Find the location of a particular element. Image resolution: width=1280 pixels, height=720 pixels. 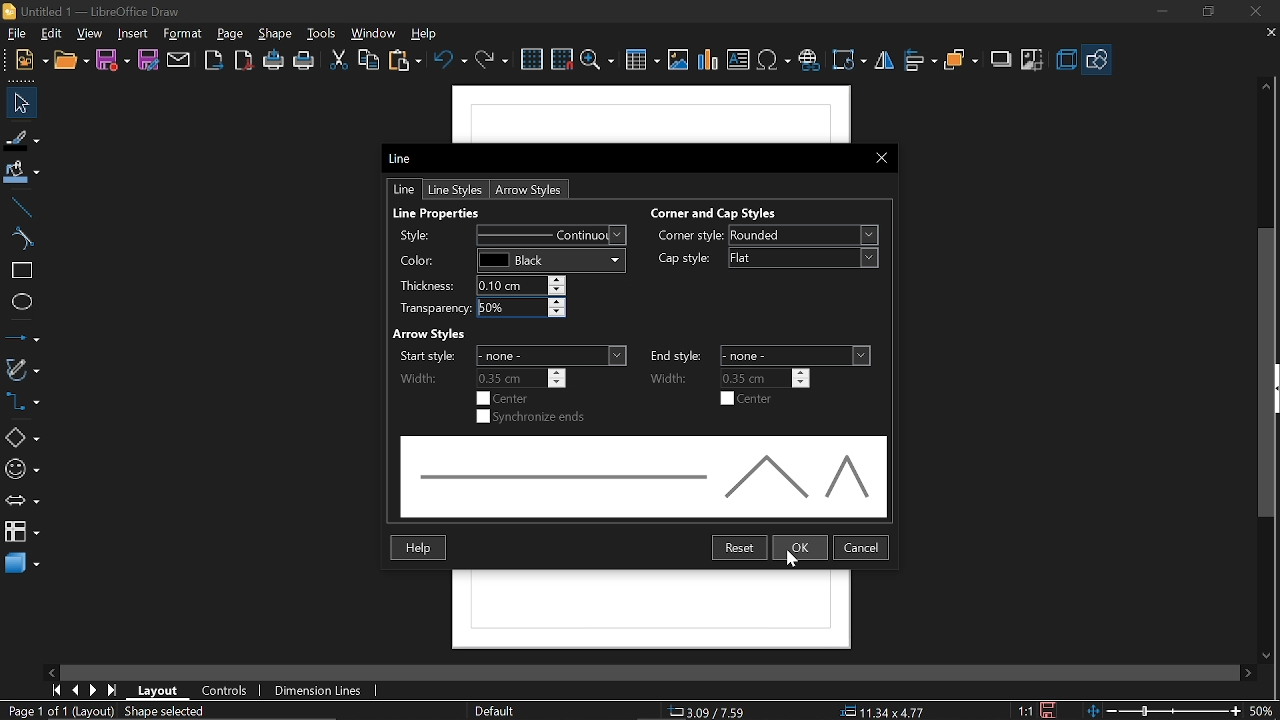

Corner style is located at coordinates (770, 236).